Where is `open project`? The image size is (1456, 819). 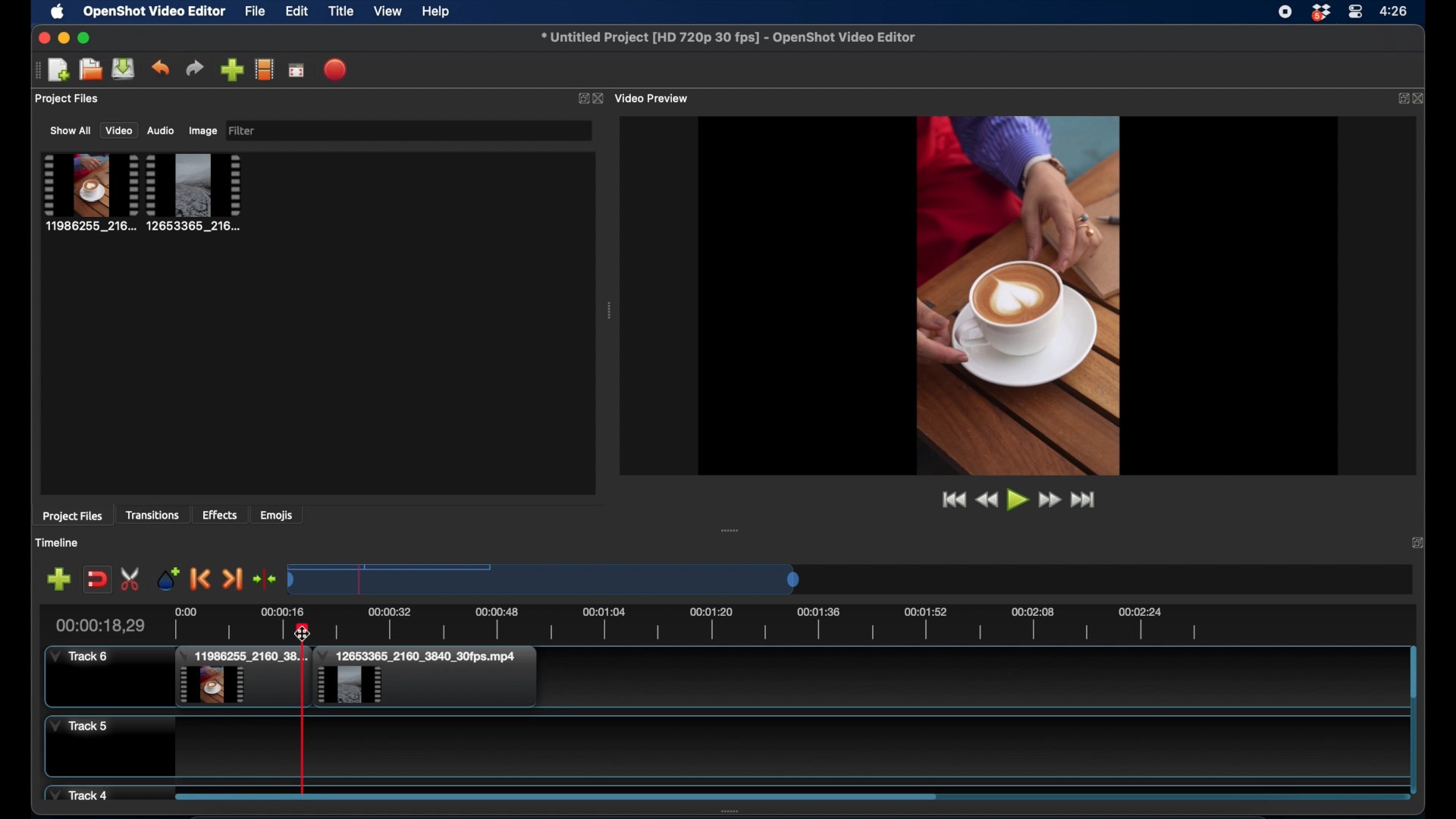
open project is located at coordinates (89, 70).